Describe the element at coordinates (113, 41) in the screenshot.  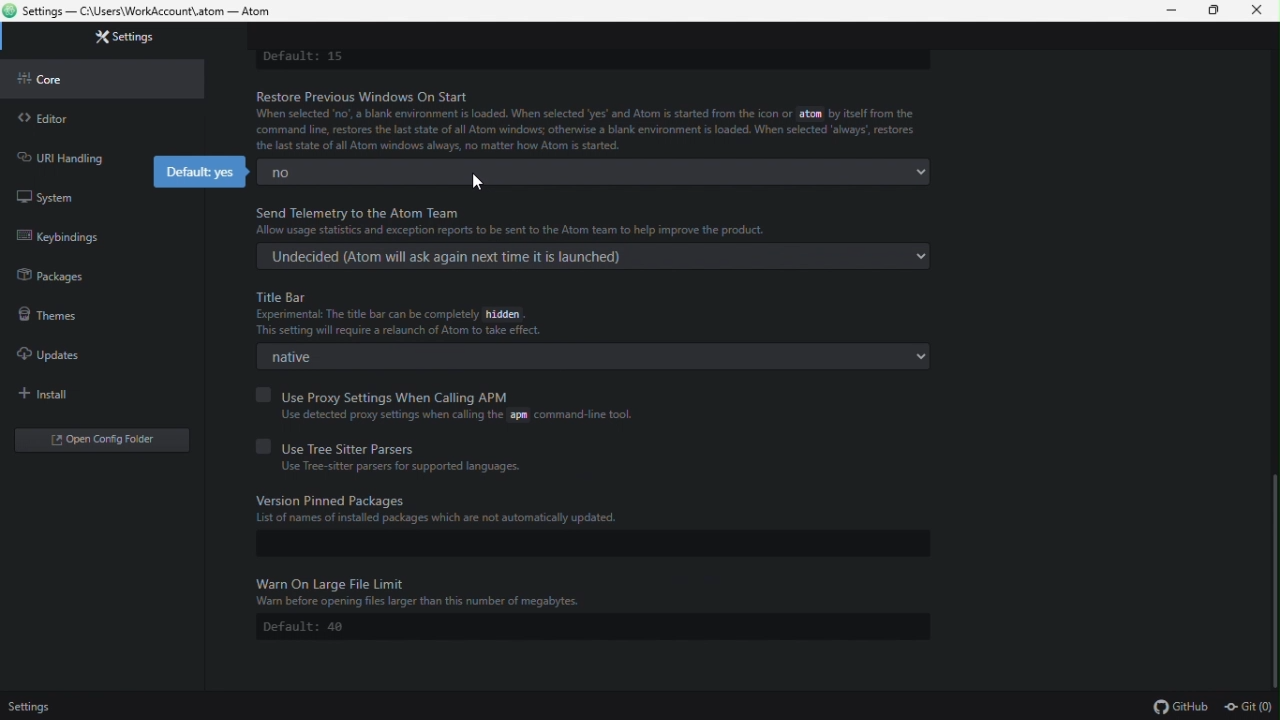
I see `settings` at that location.